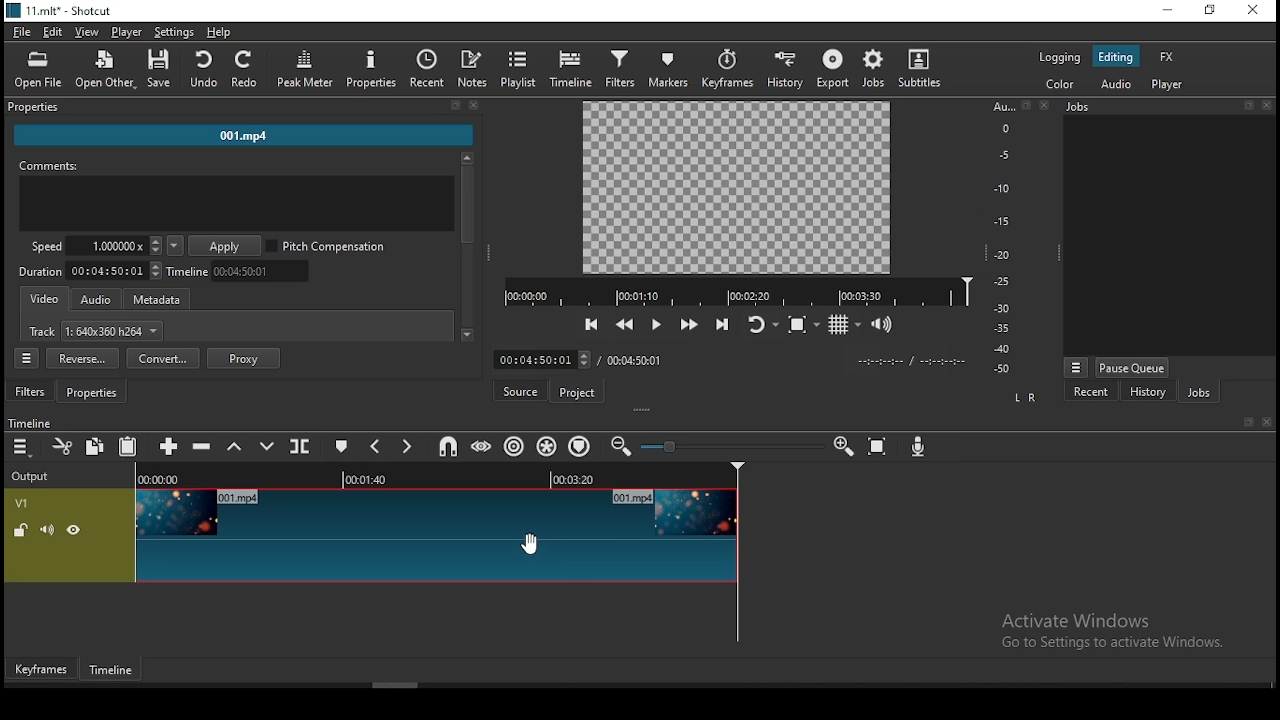 This screenshot has width=1280, height=720. I want to click on max time, so click(634, 362).